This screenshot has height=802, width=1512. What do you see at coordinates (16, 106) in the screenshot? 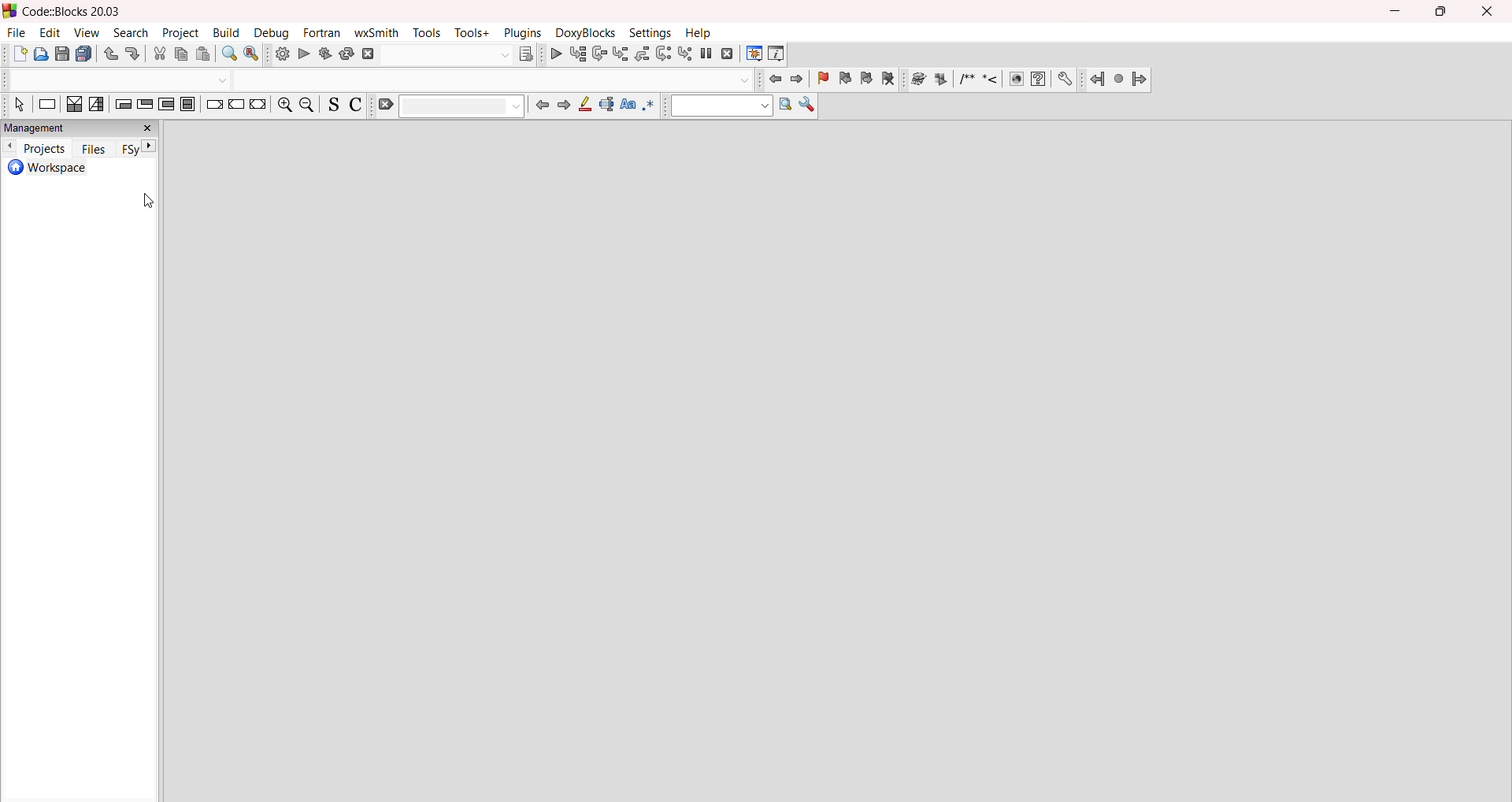
I see `select` at bounding box center [16, 106].